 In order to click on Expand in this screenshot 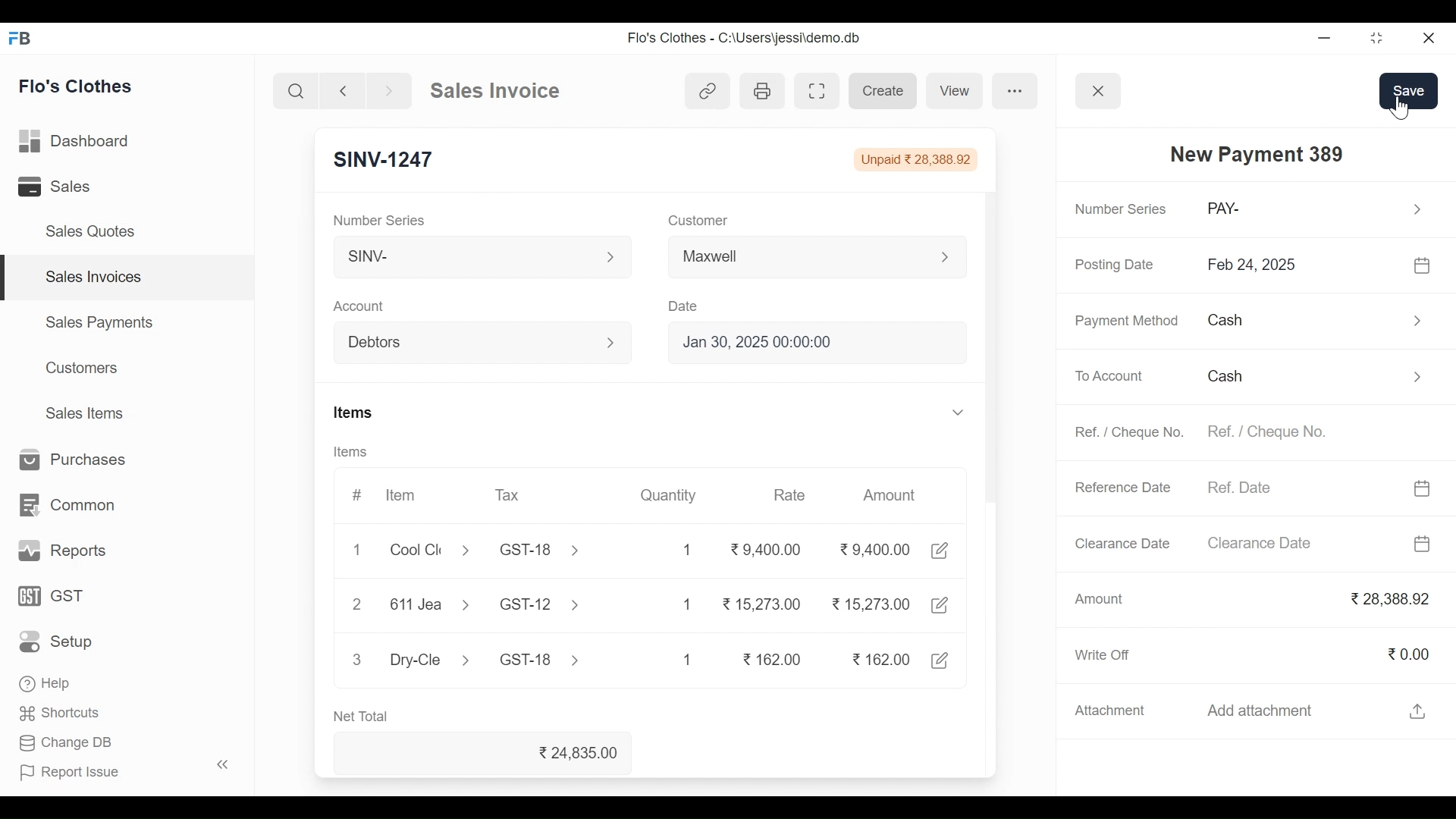, I will do `click(945, 256)`.